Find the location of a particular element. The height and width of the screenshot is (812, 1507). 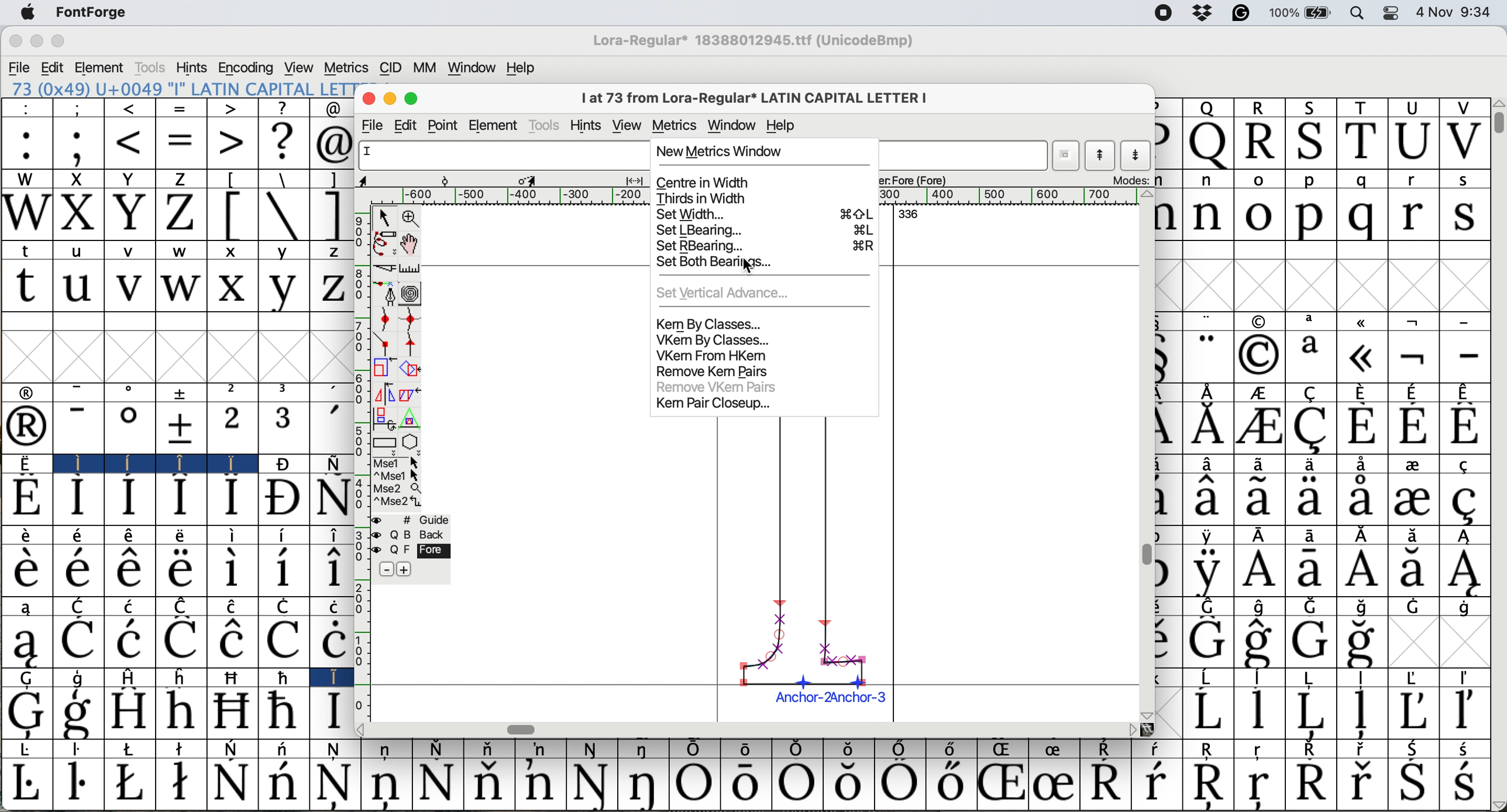

n is located at coordinates (1210, 181).